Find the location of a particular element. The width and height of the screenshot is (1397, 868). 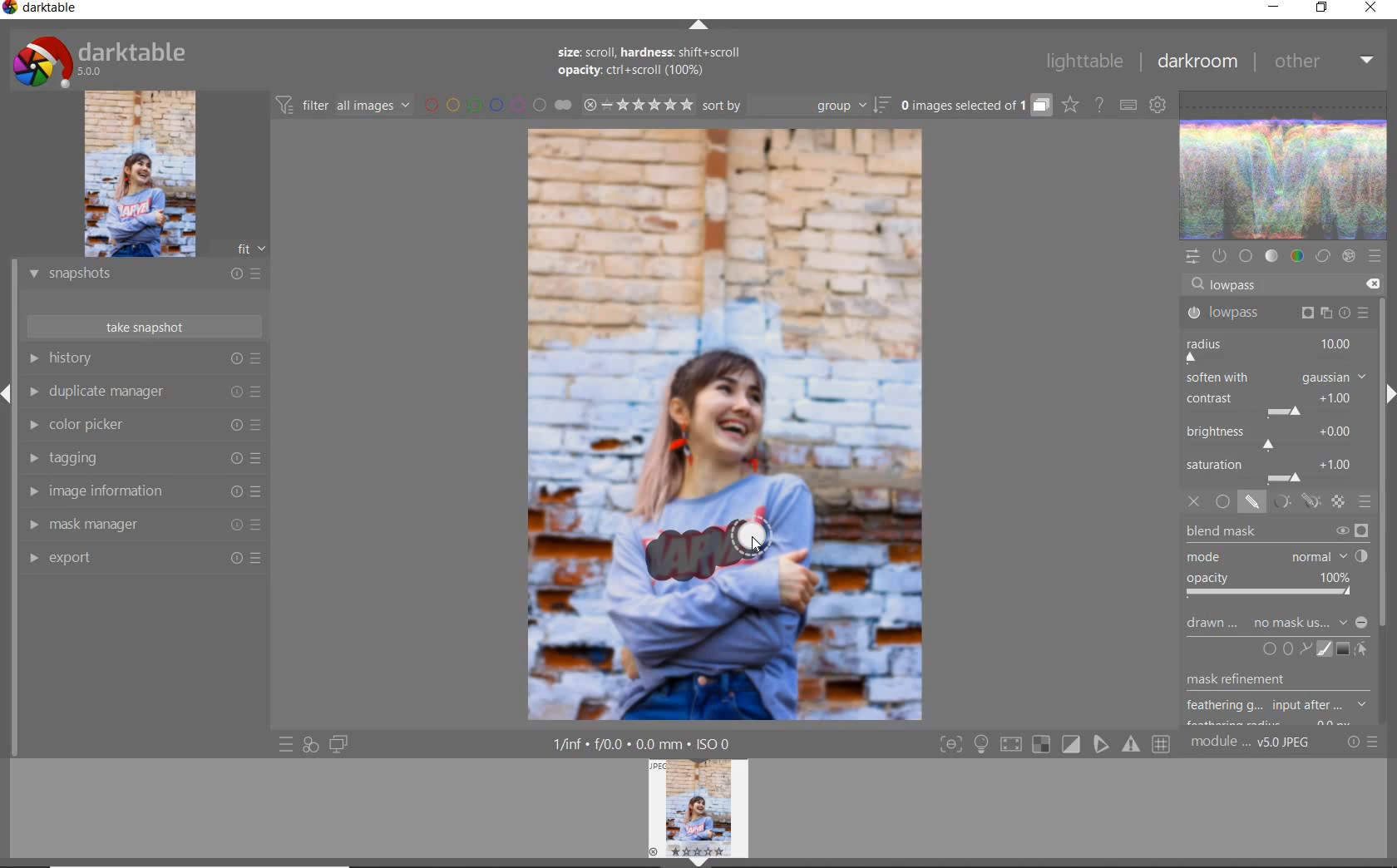

scrollbar is located at coordinates (1383, 447).